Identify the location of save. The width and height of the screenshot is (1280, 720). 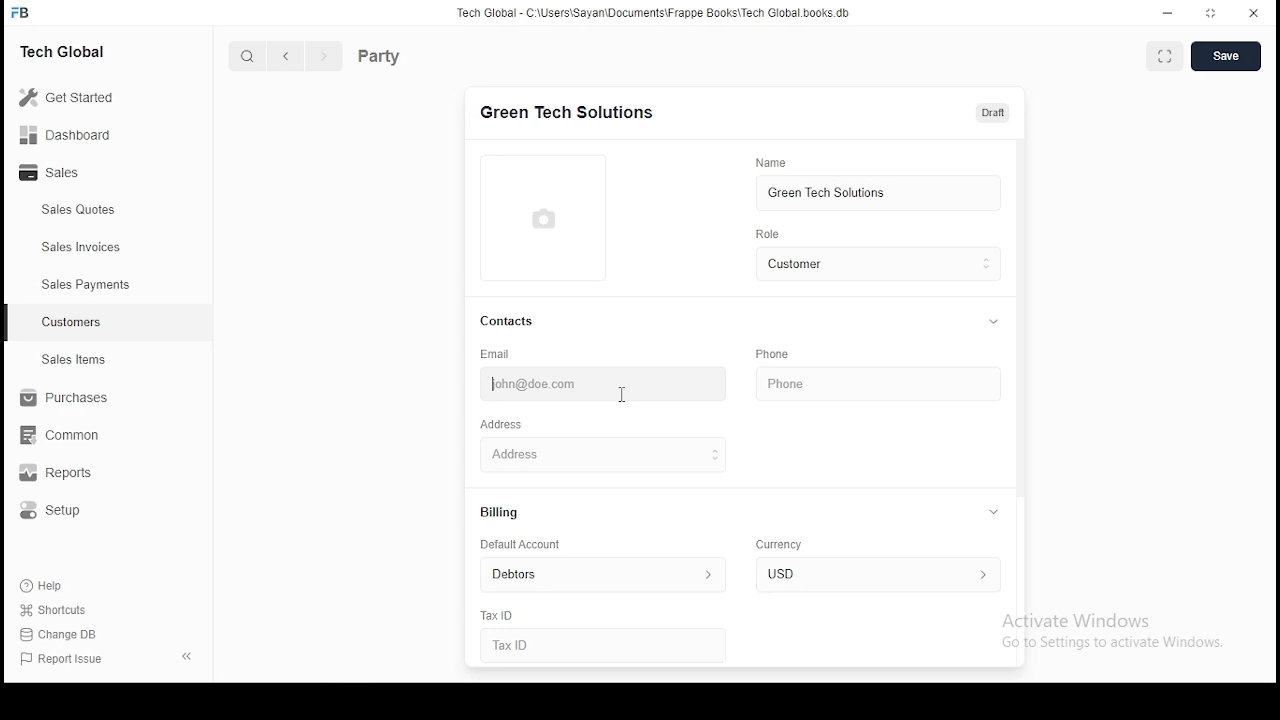
(1225, 56).